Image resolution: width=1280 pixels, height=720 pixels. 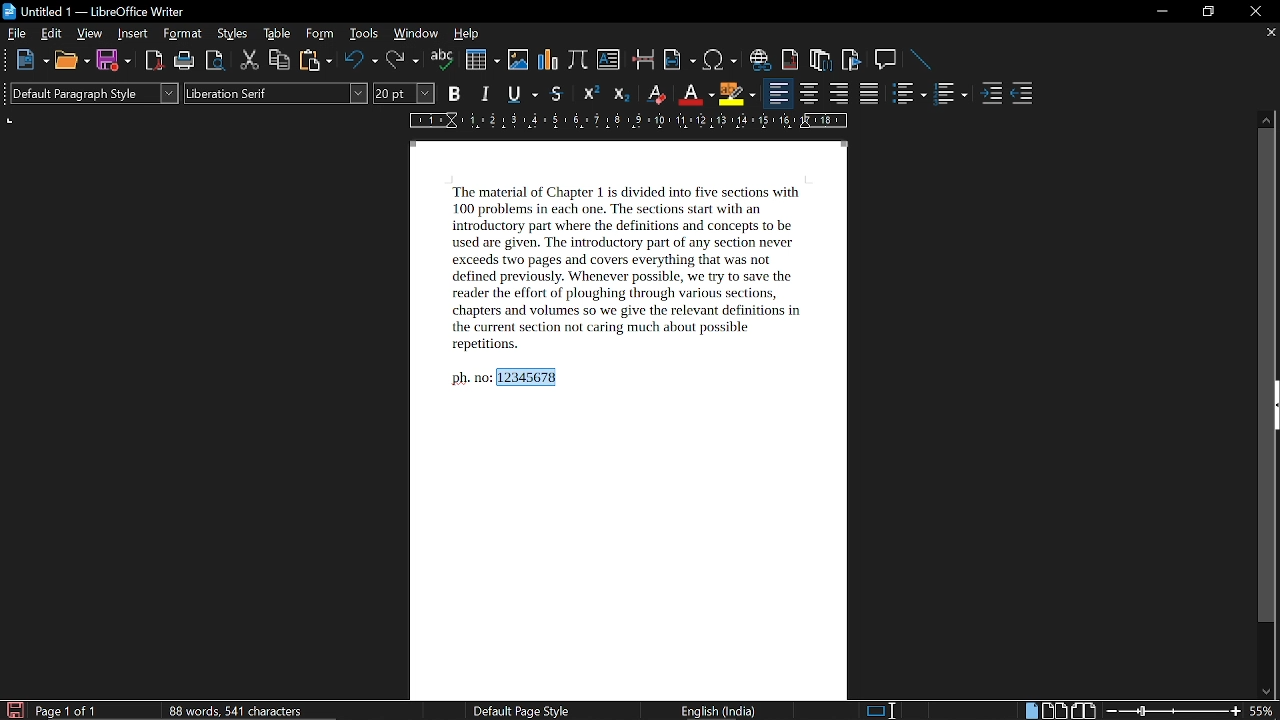 What do you see at coordinates (67, 712) in the screenshot?
I see `page 1 of 1` at bounding box center [67, 712].